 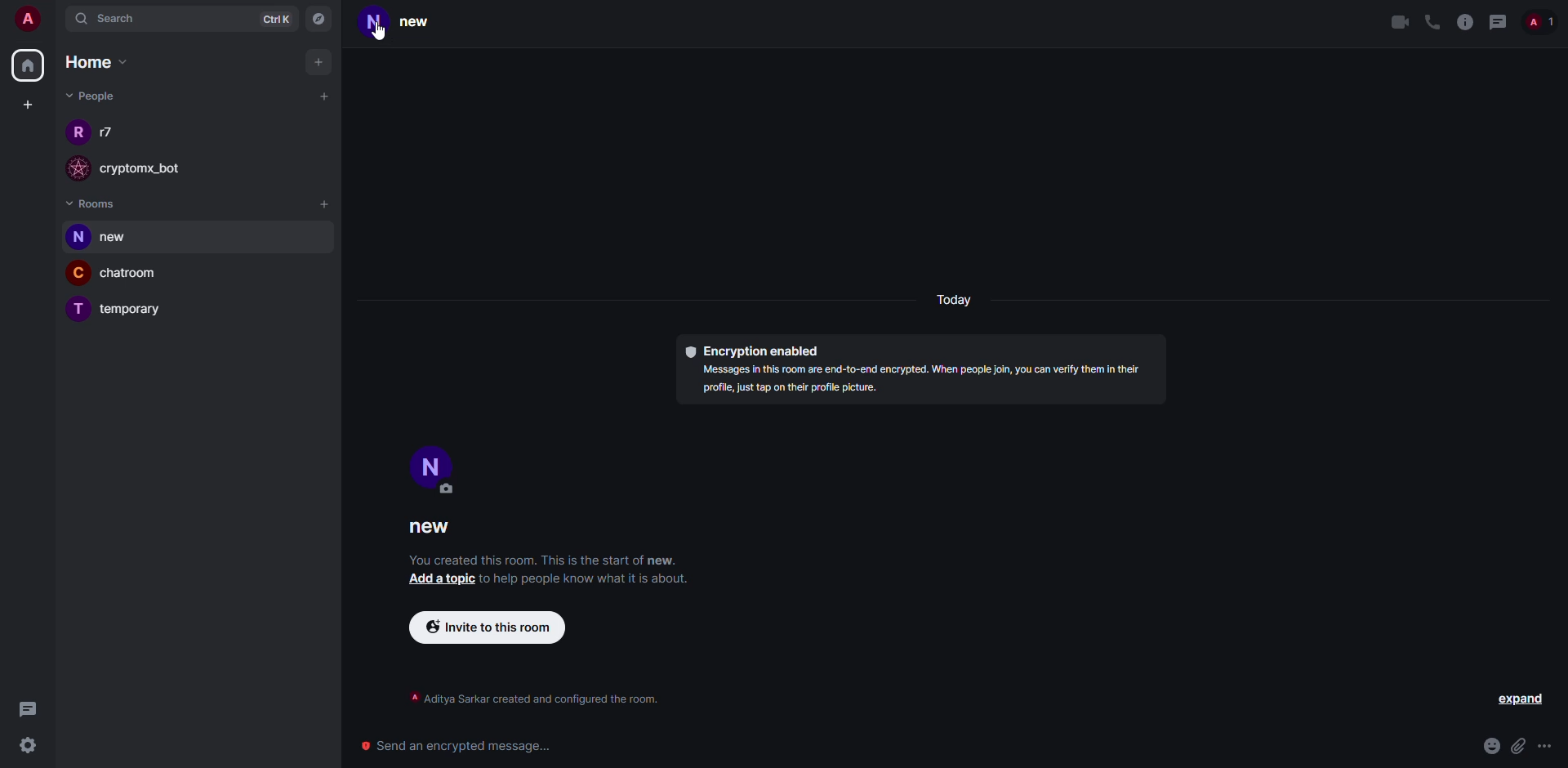 What do you see at coordinates (110, 132) in the screenshot?
I see `people` at bounding box center [110, 132].